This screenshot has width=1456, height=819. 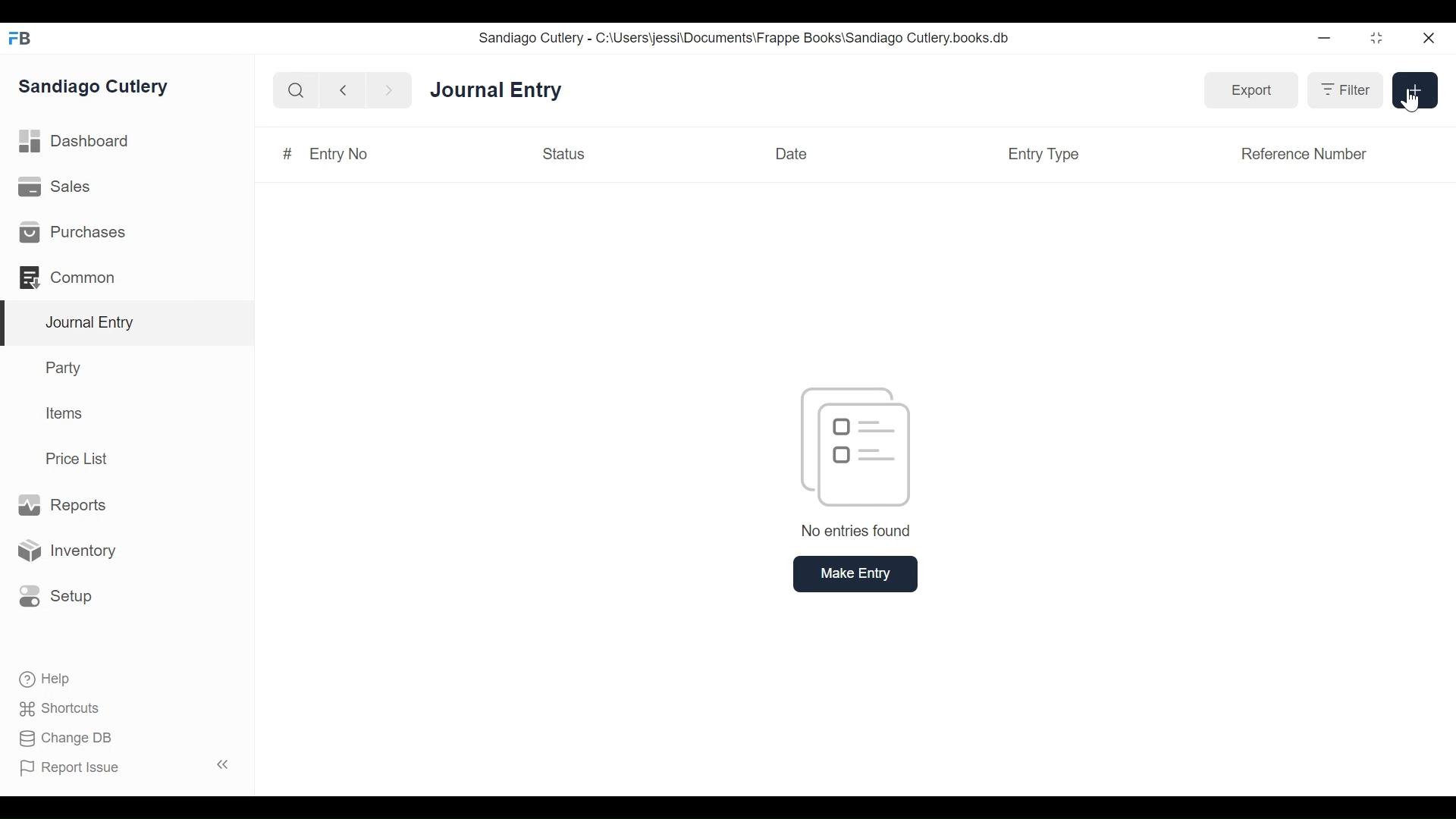 I want to click on Setup, so click(x=52, y=595).